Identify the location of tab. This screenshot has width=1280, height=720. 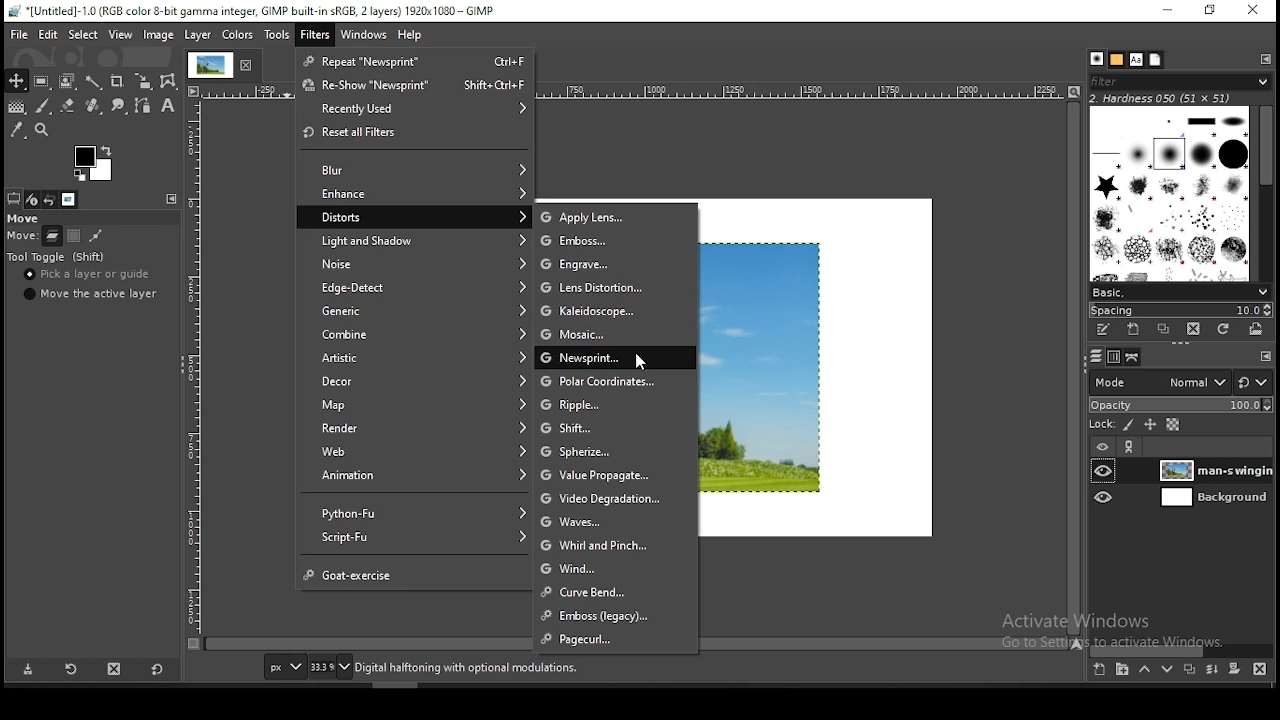
(225, 66).